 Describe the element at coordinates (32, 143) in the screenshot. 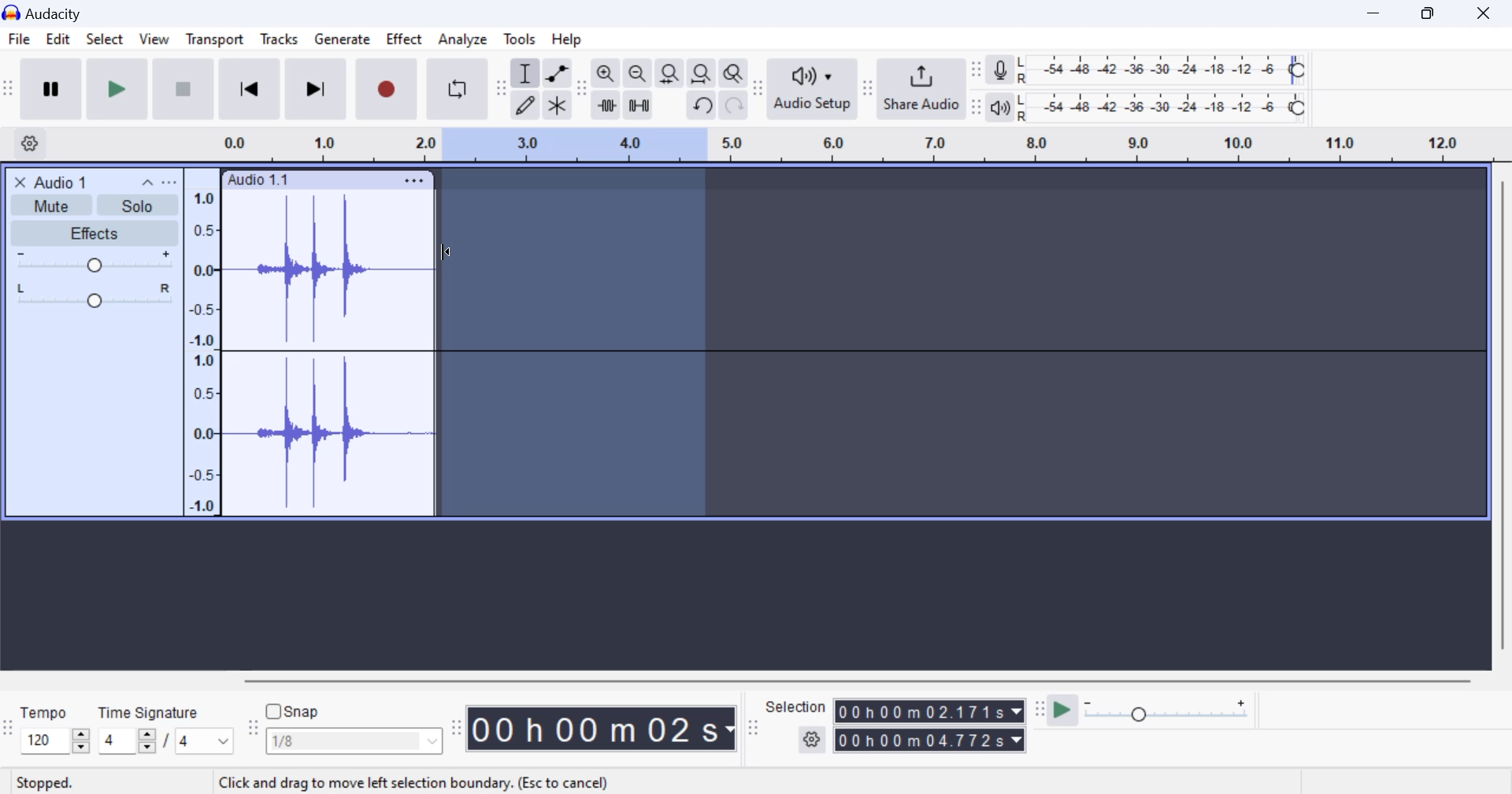

I see `Settings` at that location.